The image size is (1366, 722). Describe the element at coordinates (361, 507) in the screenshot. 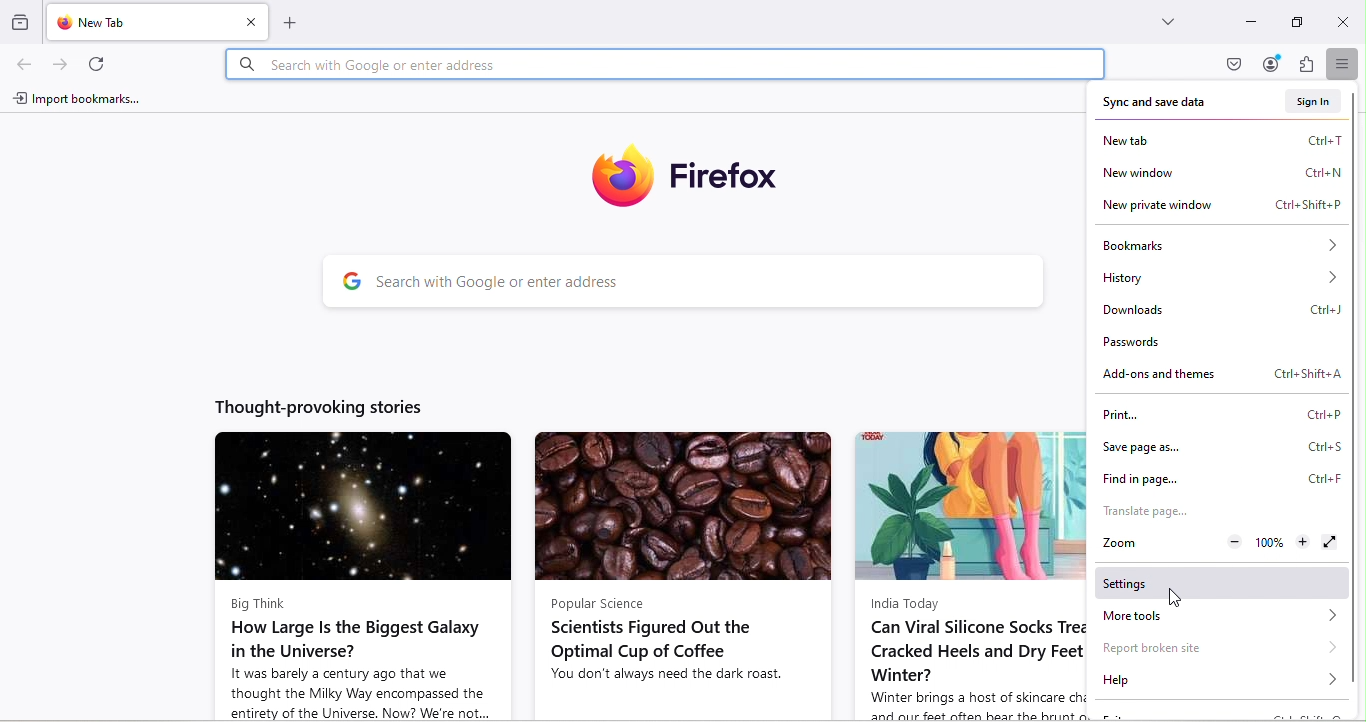

I see `Image` at that location.